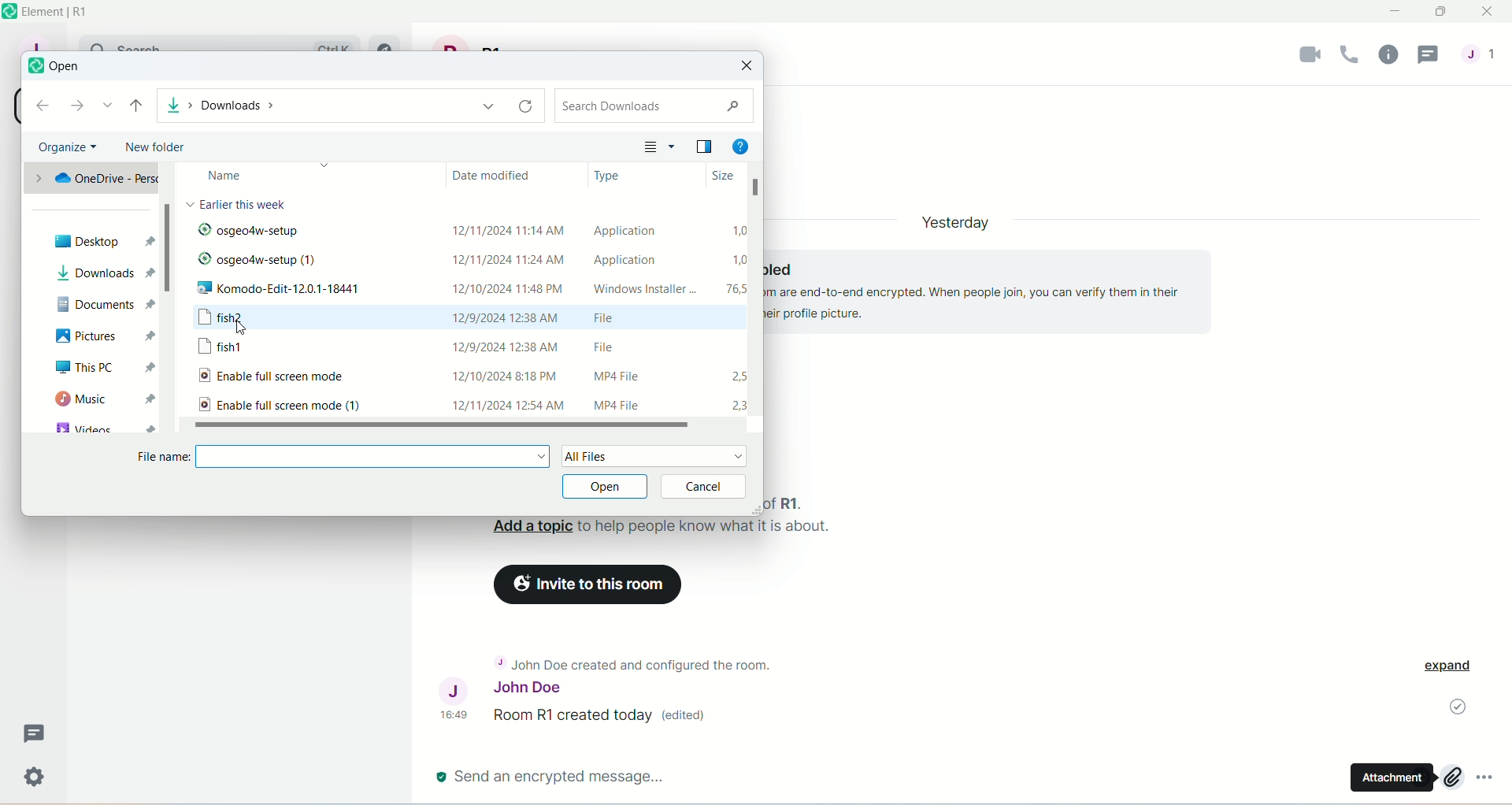 This screenshot has height=805, width=1512. I want to click on 12/11/2024 11:14 AM, so click(509, 224).